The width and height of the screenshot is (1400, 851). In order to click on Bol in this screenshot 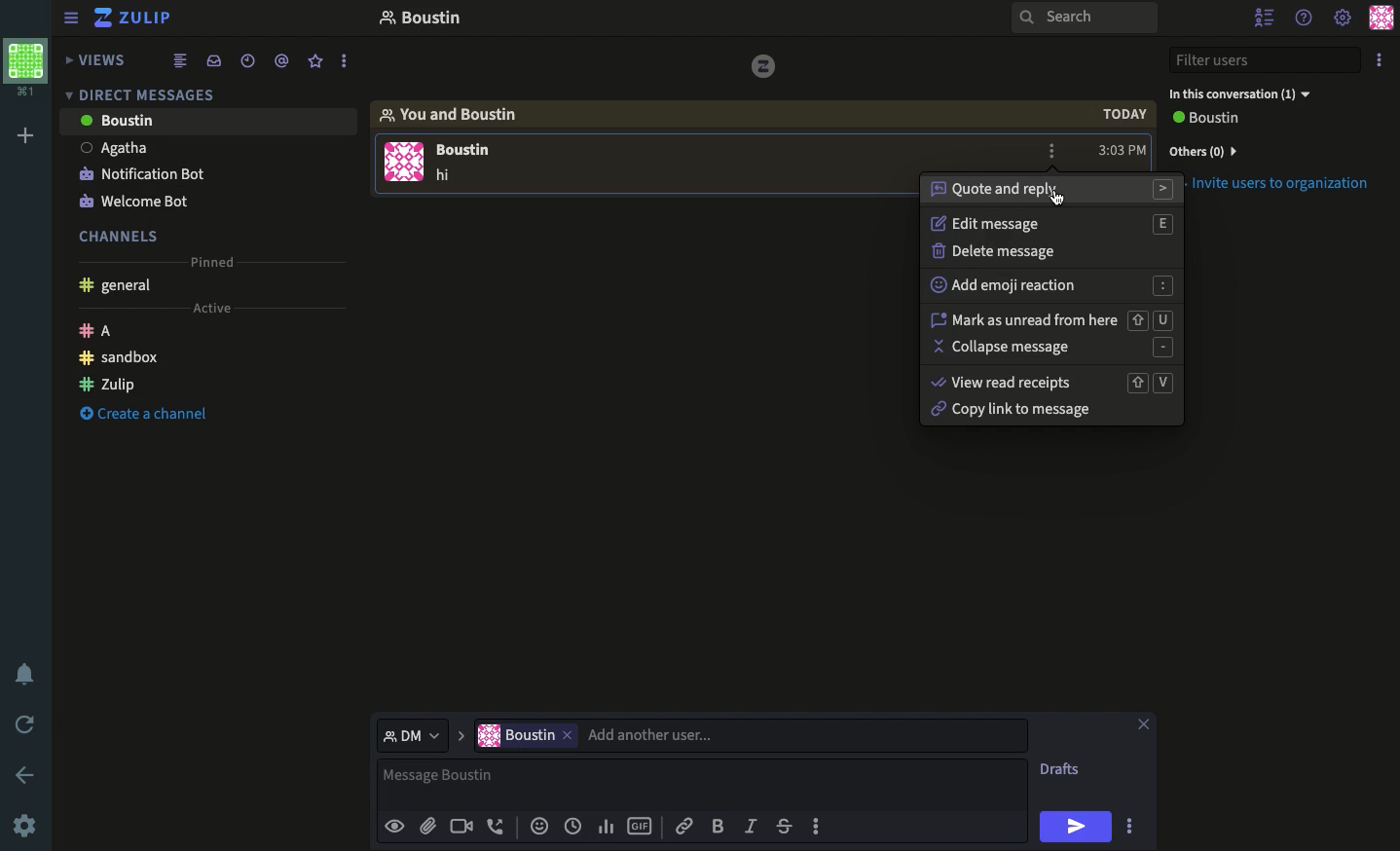, I will do `click(721, 827)`.